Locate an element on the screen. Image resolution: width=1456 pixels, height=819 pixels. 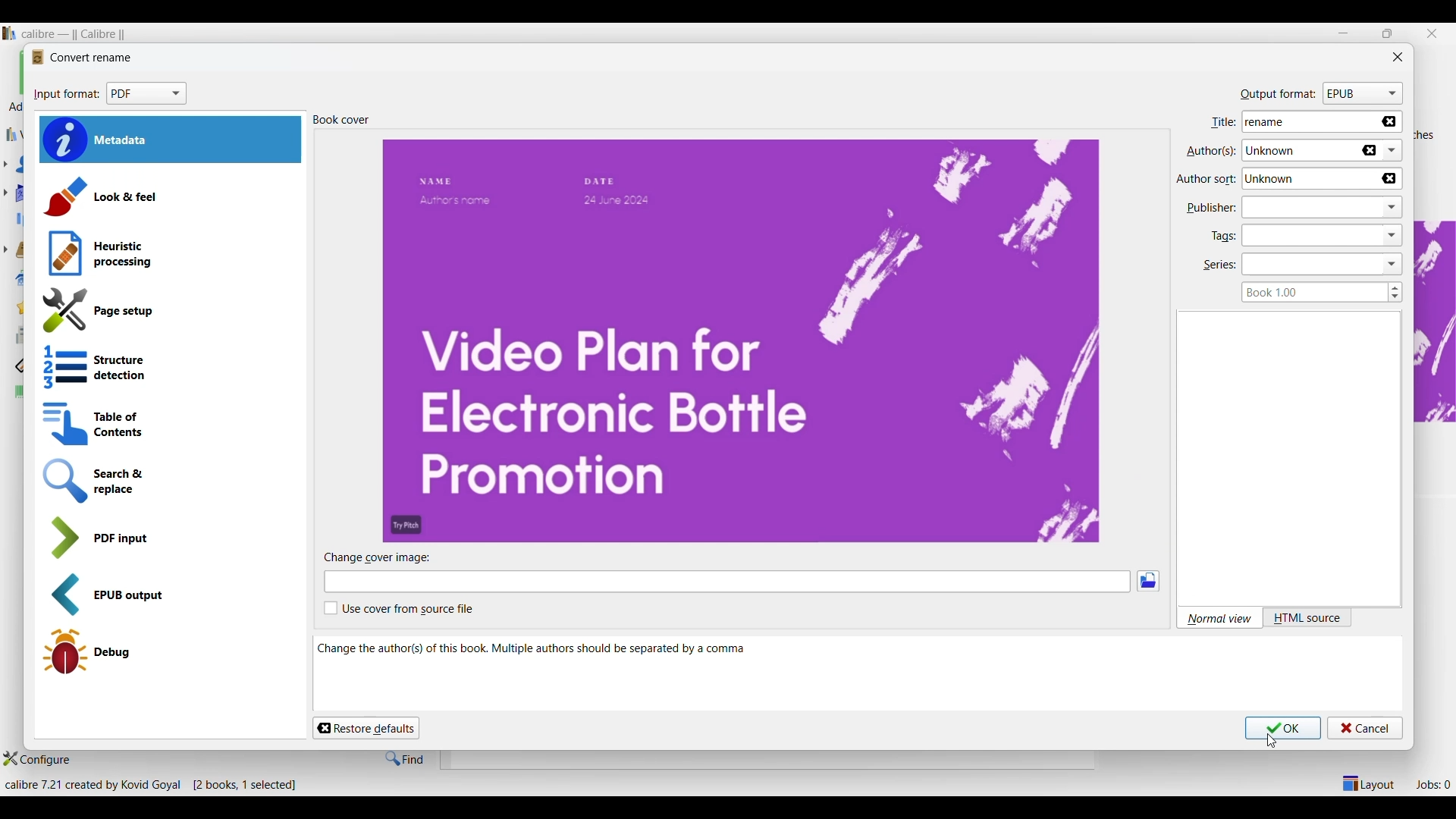
book cover is located at coordinates (344, 121).